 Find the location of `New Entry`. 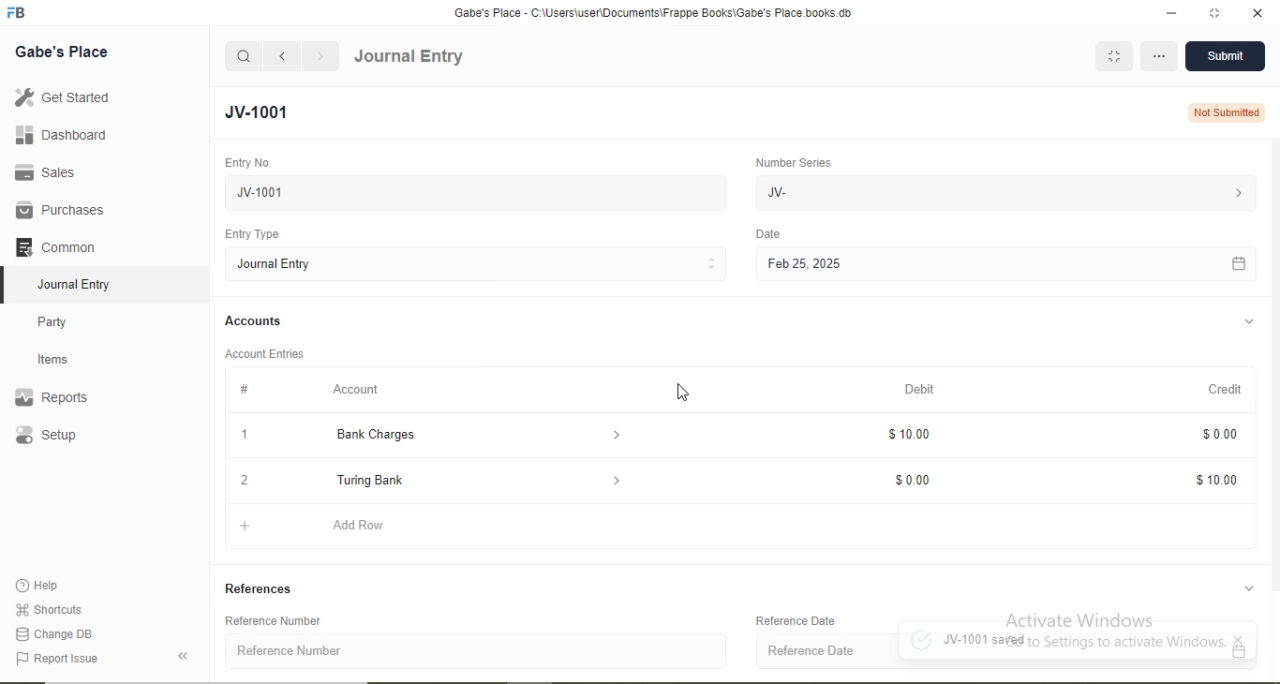

New Entry is located at coordinates (272, 113).